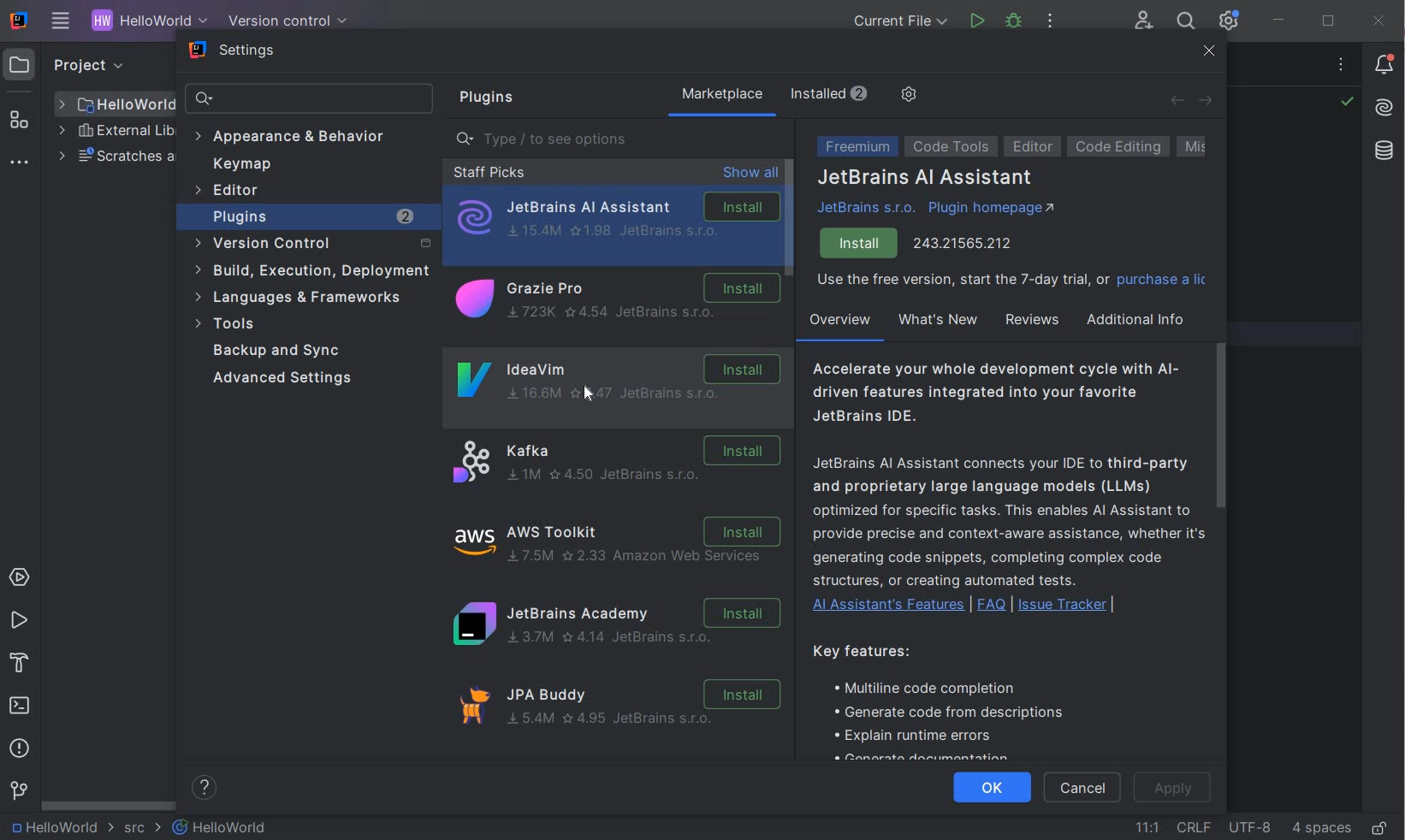 This screenshot has width=1405, height=840. What do you see at coordinates (282, 351) in the screenshot?
I see `Backup and Sync` at bounding box center [282, 351].